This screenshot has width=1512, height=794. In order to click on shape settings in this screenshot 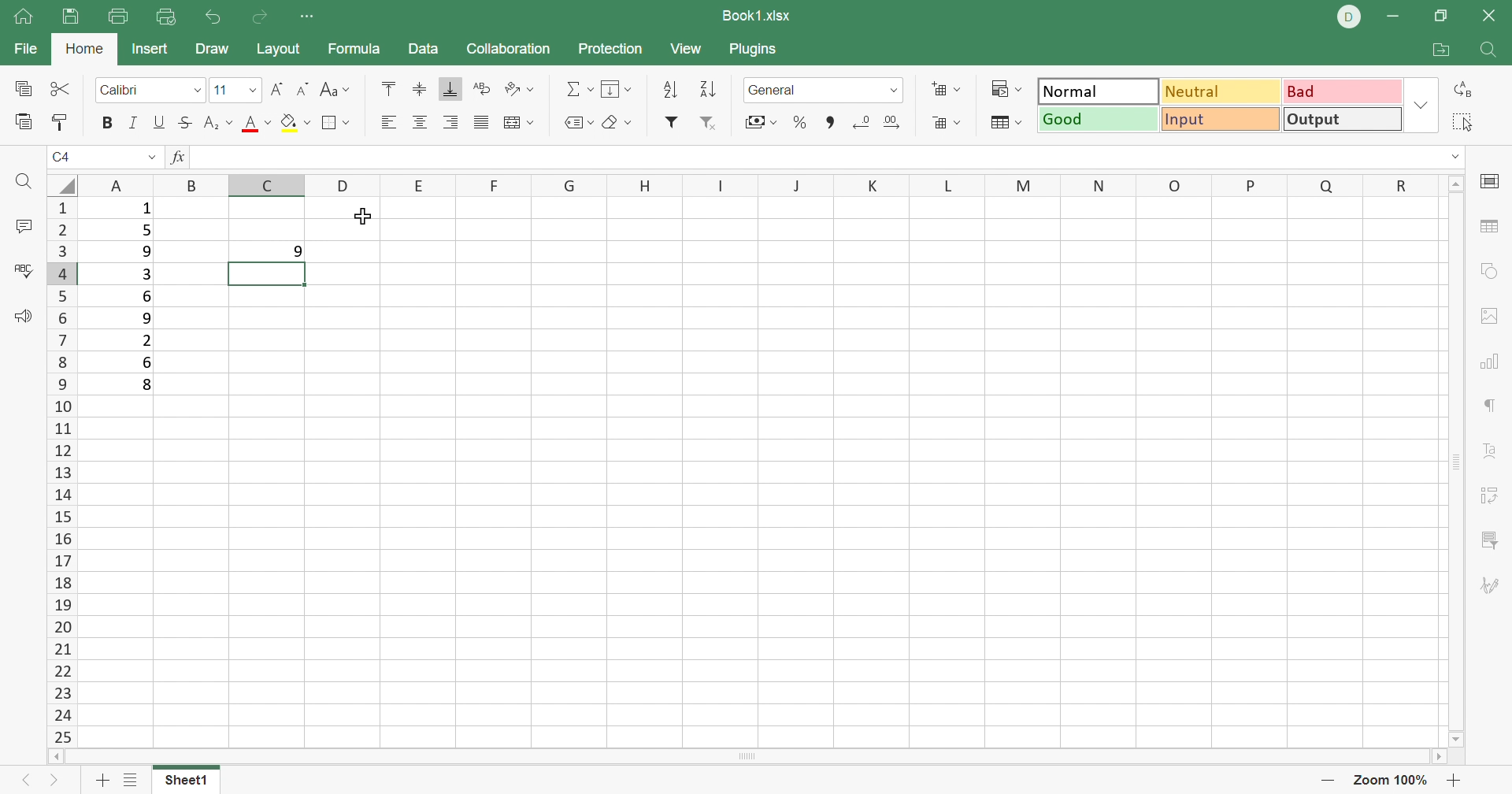, I will do `click(1495, 273)`.